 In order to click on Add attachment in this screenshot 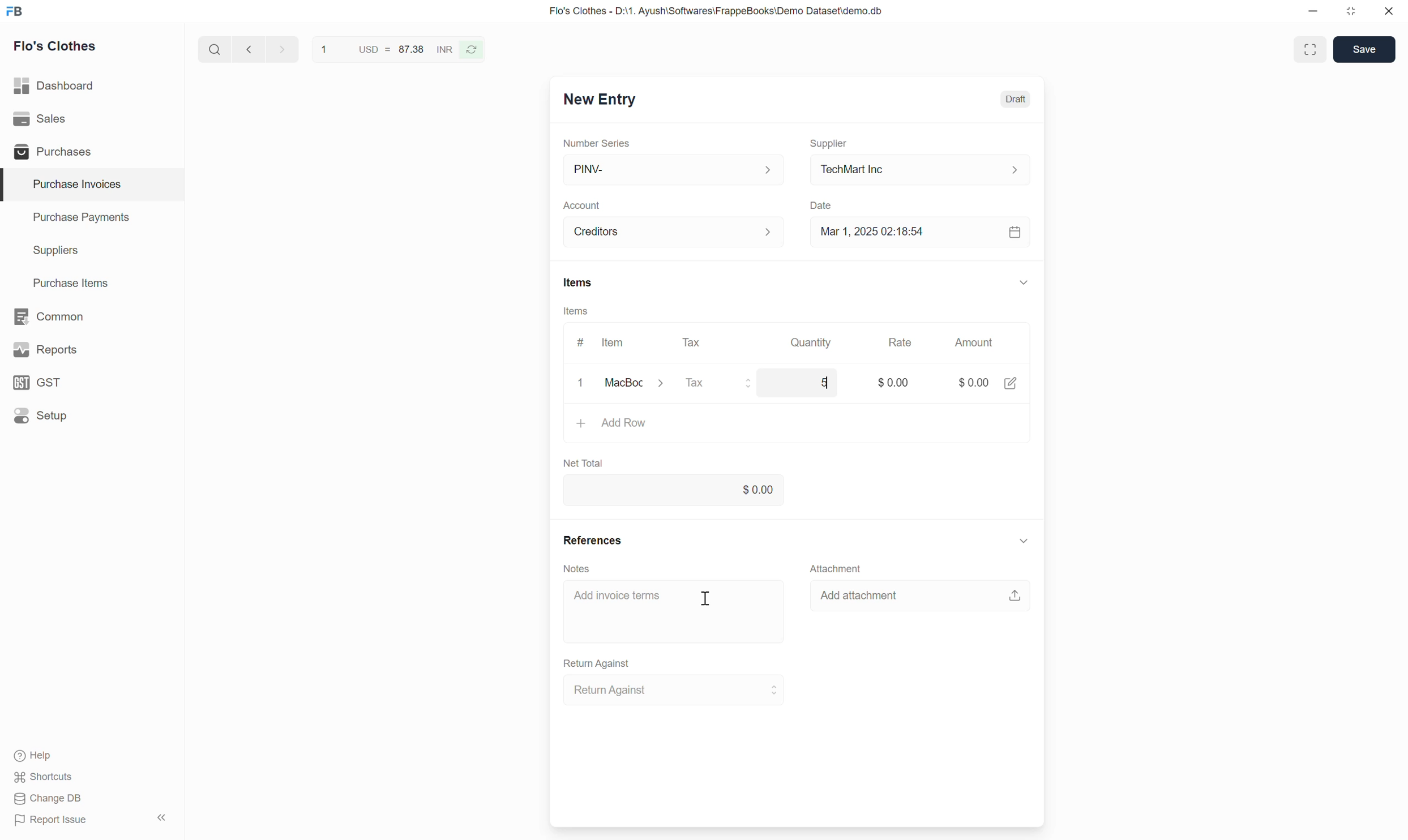, I will do `click(920, 594)`.